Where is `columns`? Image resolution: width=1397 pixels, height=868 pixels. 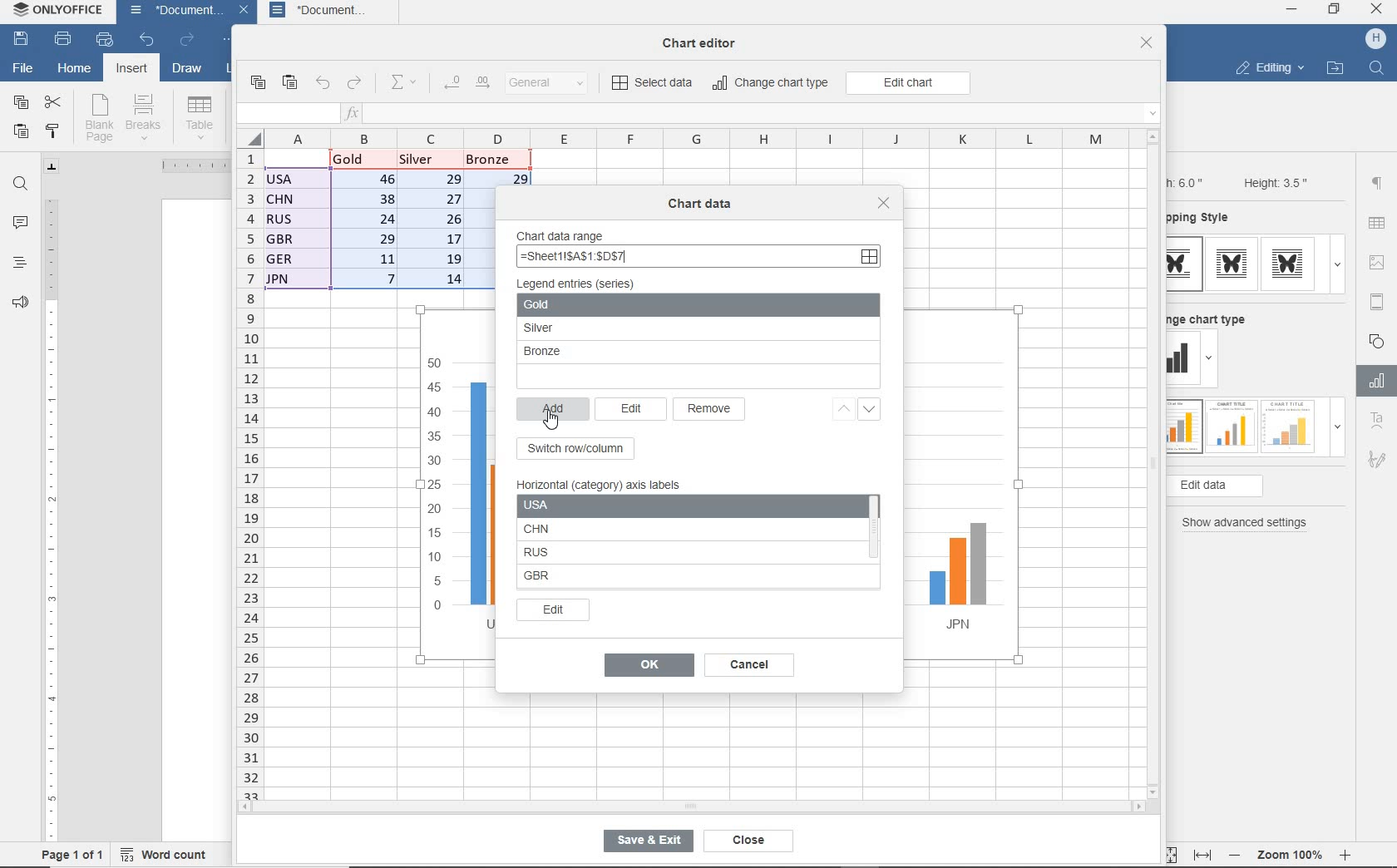
columns is located at coordinates (684, 138).